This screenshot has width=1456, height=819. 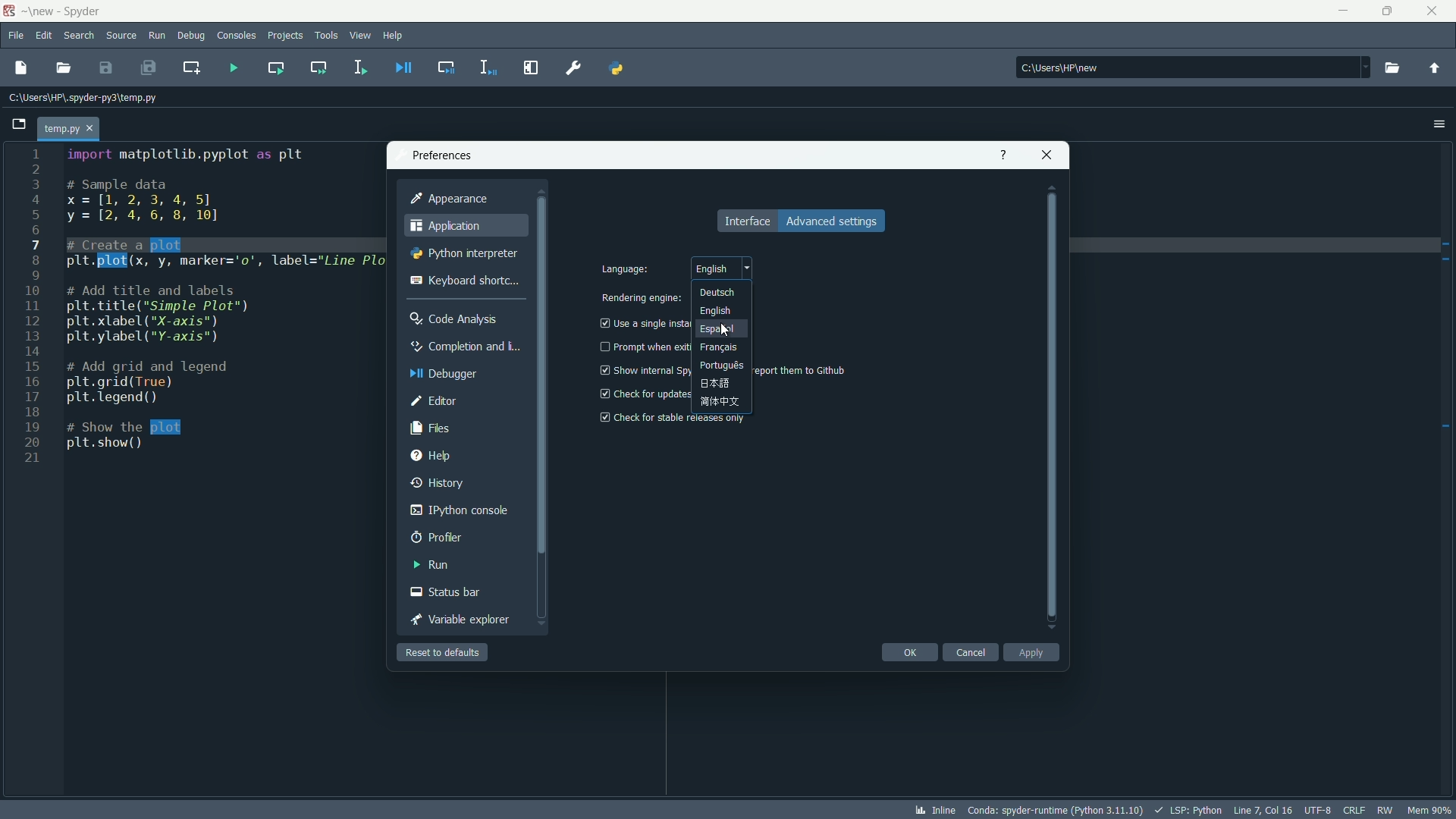 I want to click on close app, so click(x=1436, y=11).